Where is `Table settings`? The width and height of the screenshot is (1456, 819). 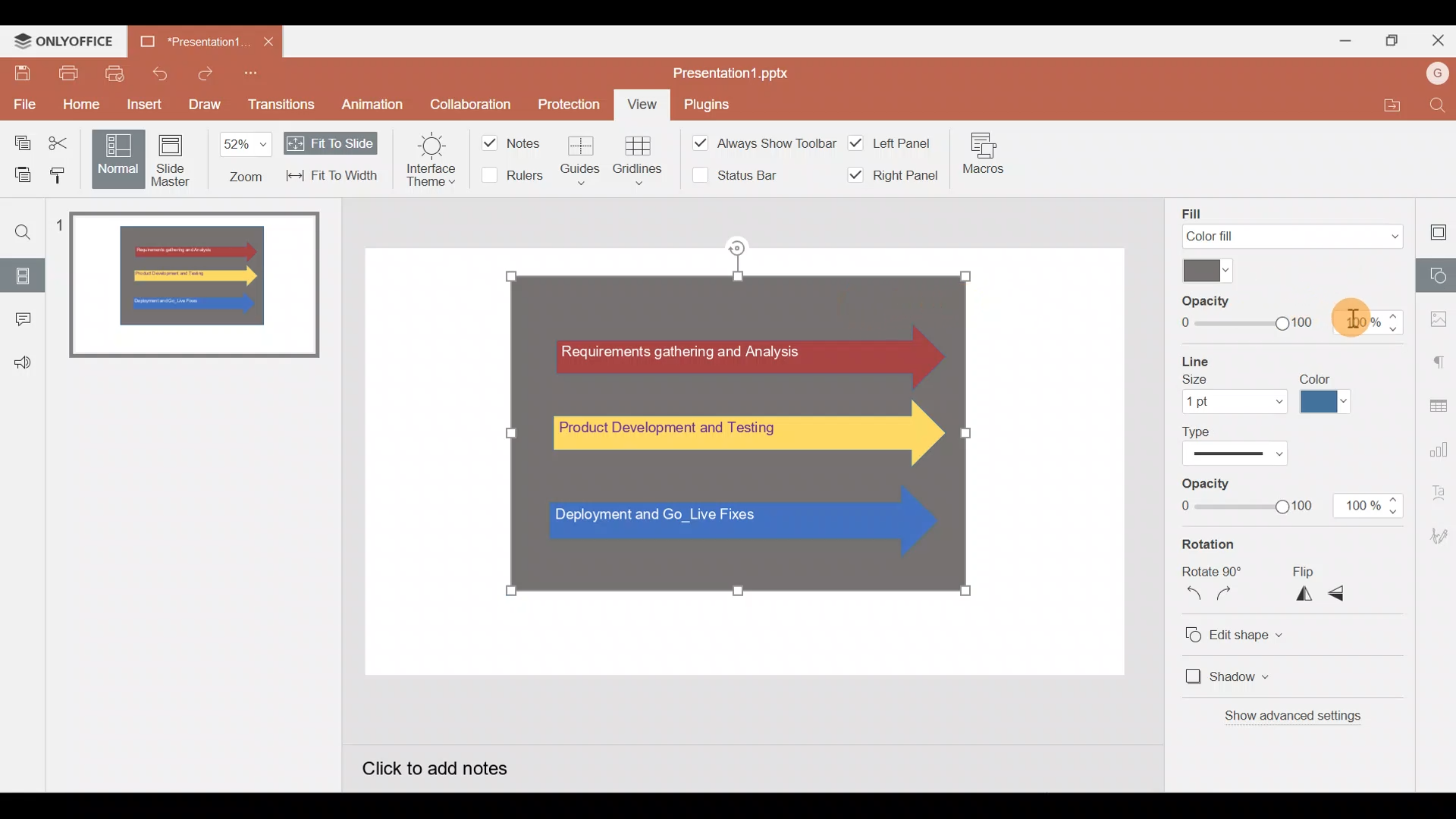
Table settings is located at coordinates (1437, 401).